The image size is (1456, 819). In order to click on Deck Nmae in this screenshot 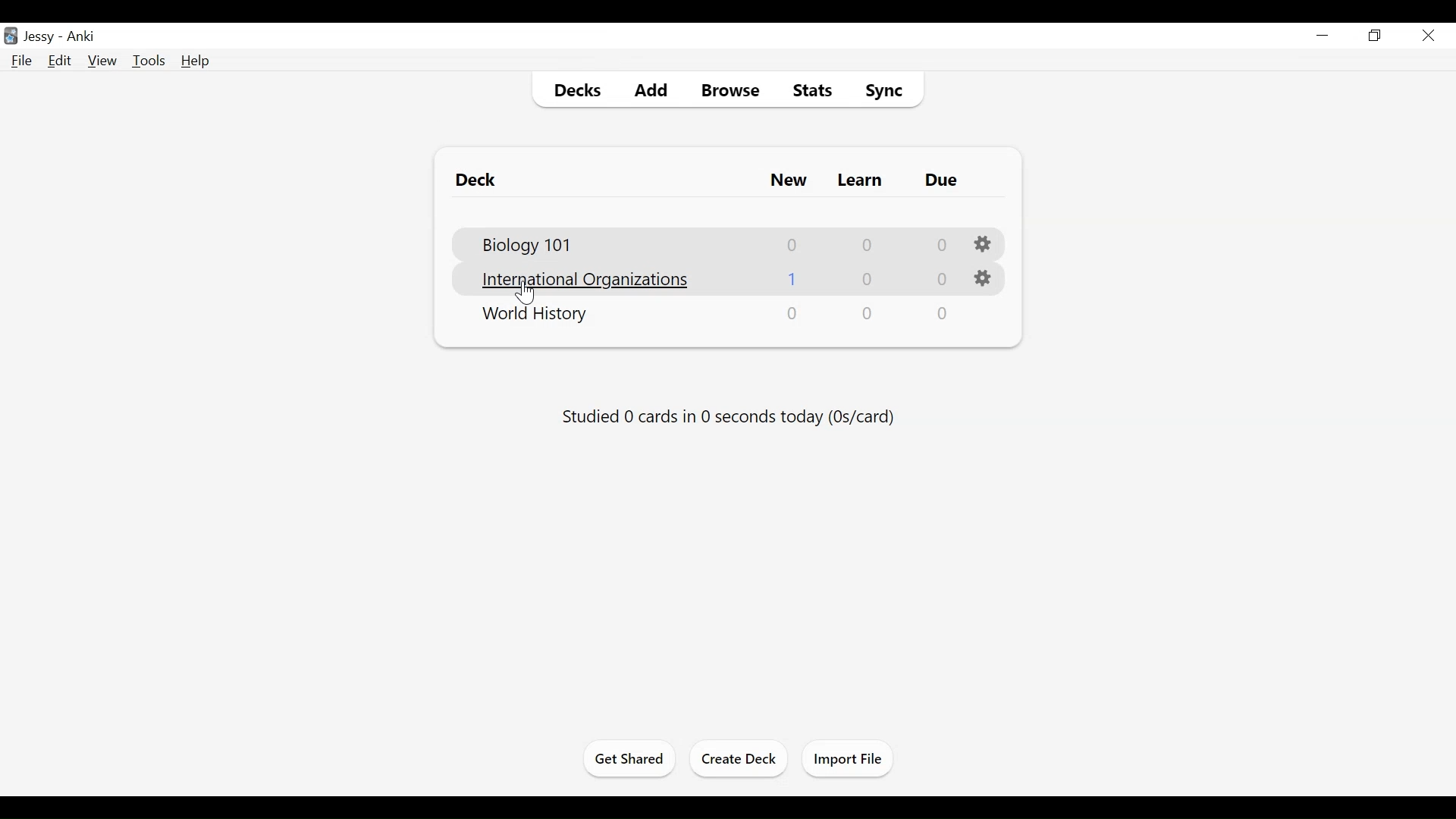, I will do `click(534, 315)`.